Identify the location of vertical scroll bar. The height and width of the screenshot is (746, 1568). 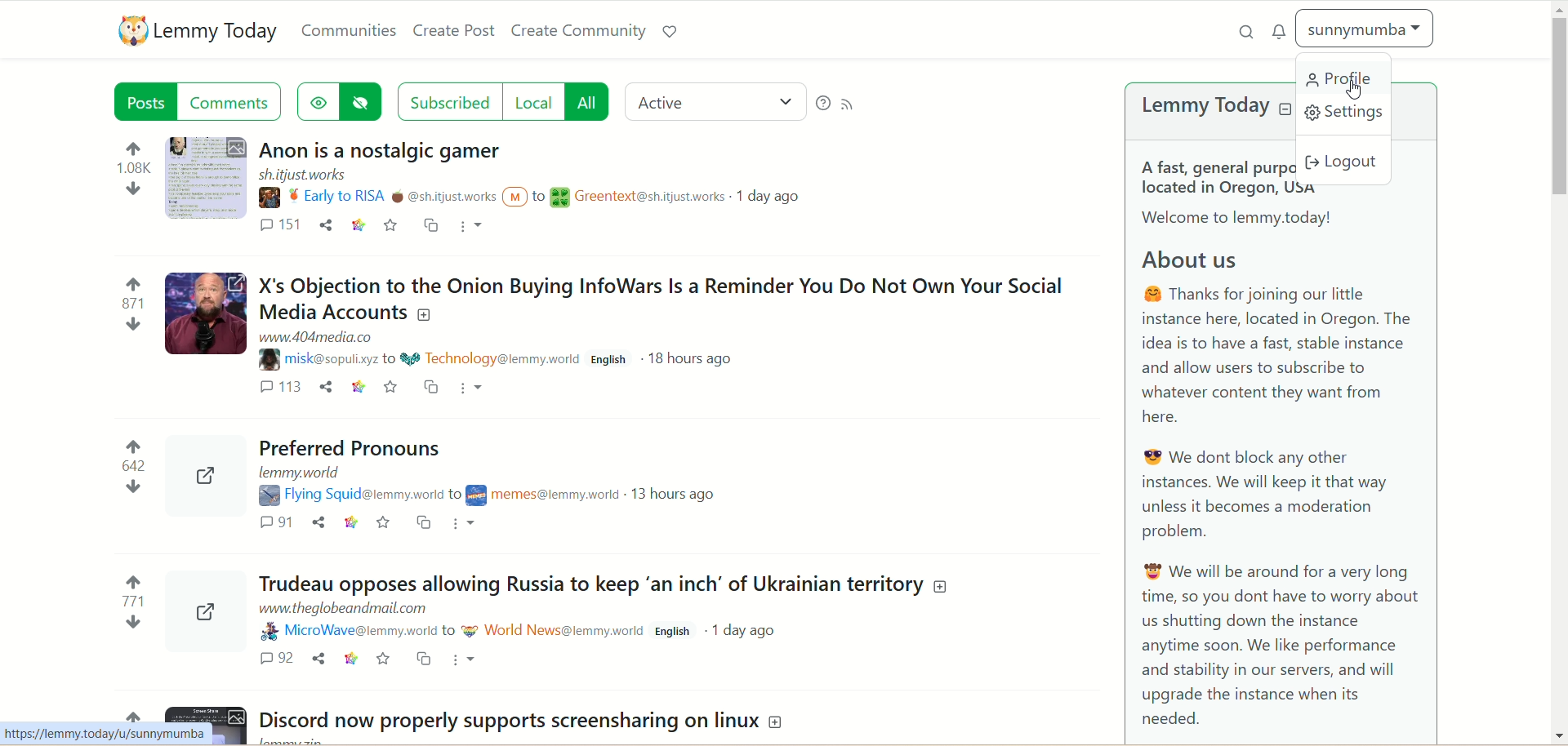
(1558, 371).